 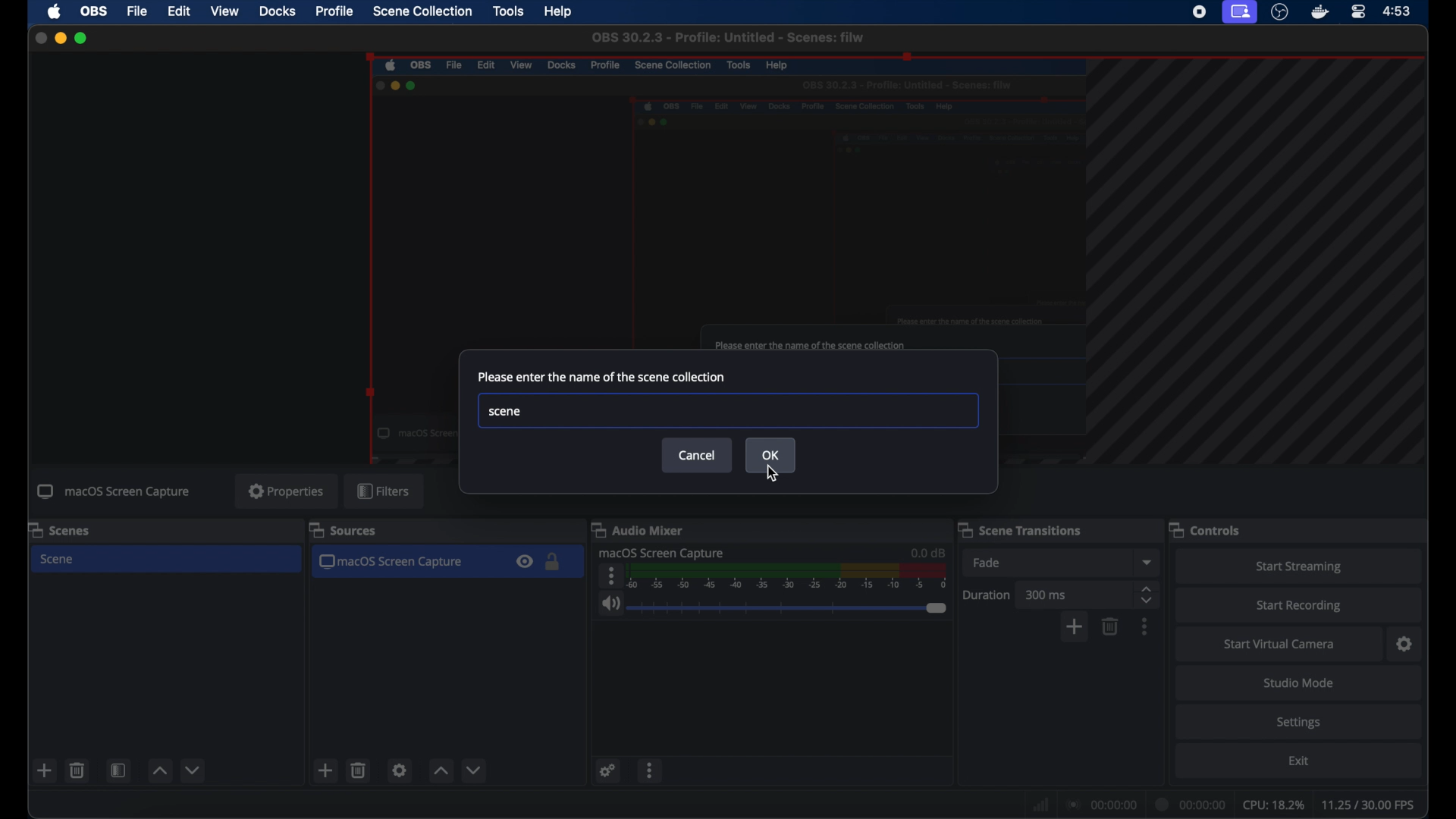 I want to click on 300 ms, so click(x=1046, y=594).